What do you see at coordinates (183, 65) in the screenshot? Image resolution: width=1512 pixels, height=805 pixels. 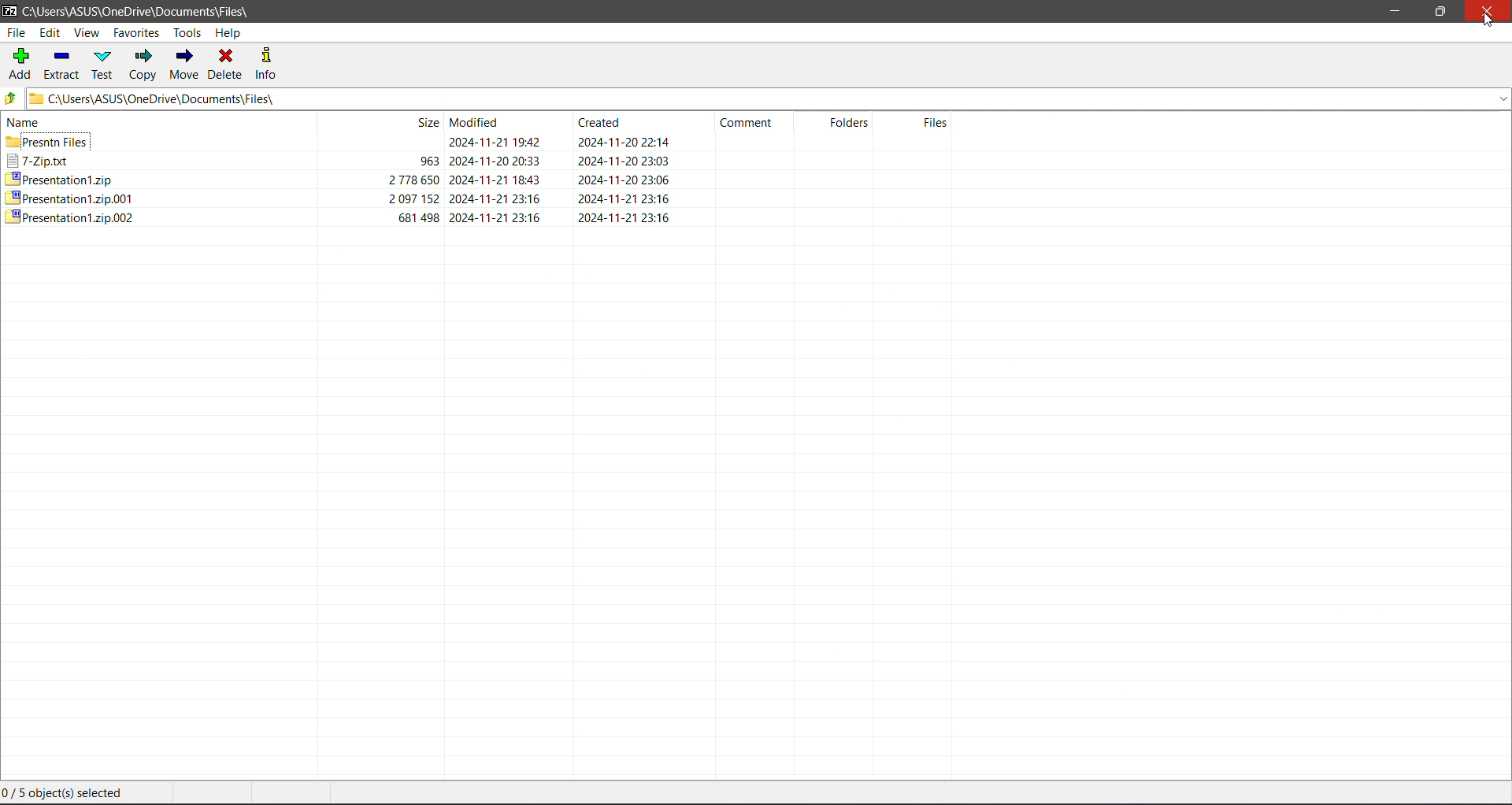 I see `Move` at bounding box center [183, 65].